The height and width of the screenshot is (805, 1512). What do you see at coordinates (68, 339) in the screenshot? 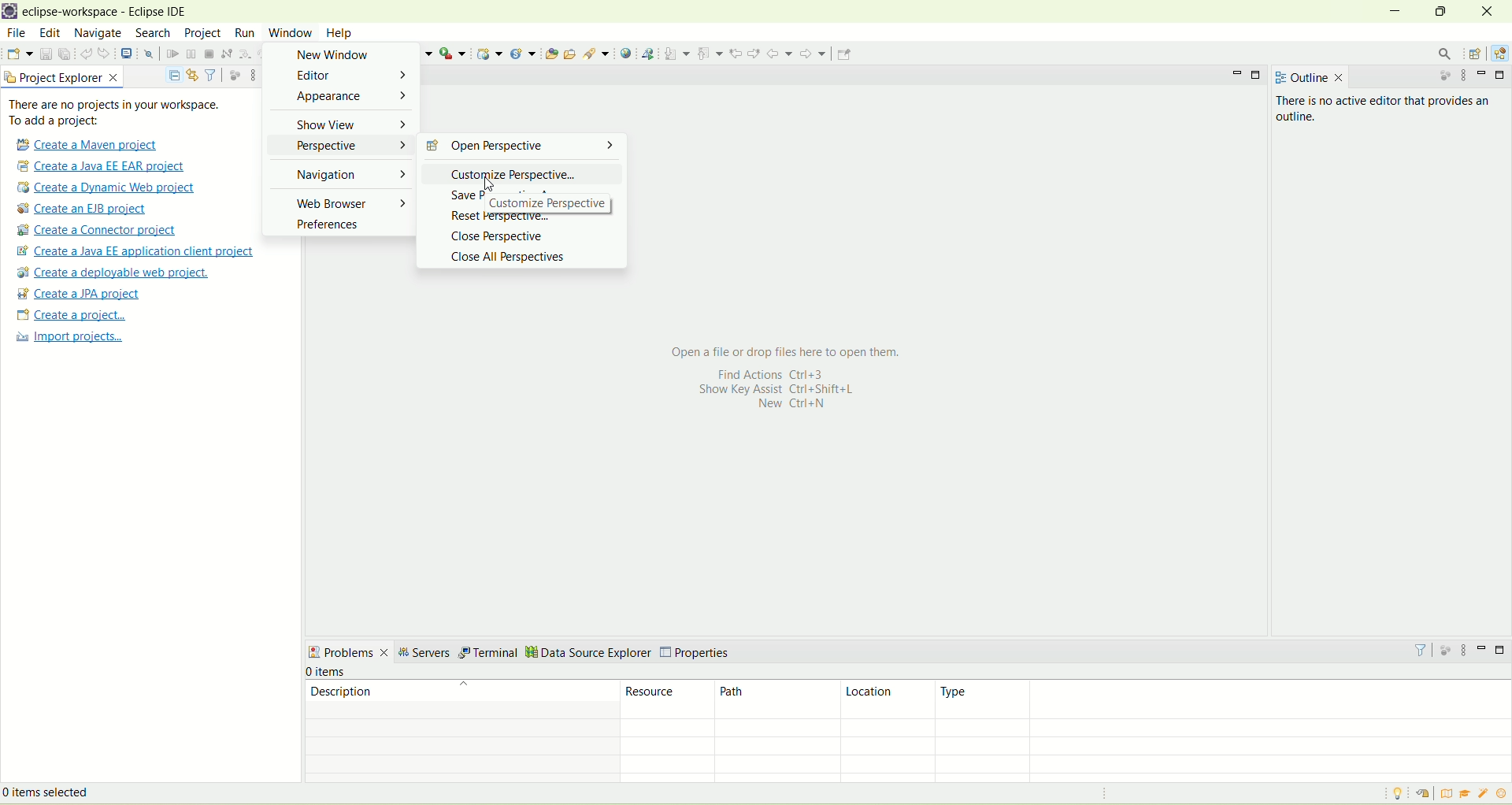
I see `import projects` at bounding box center [68, 339].